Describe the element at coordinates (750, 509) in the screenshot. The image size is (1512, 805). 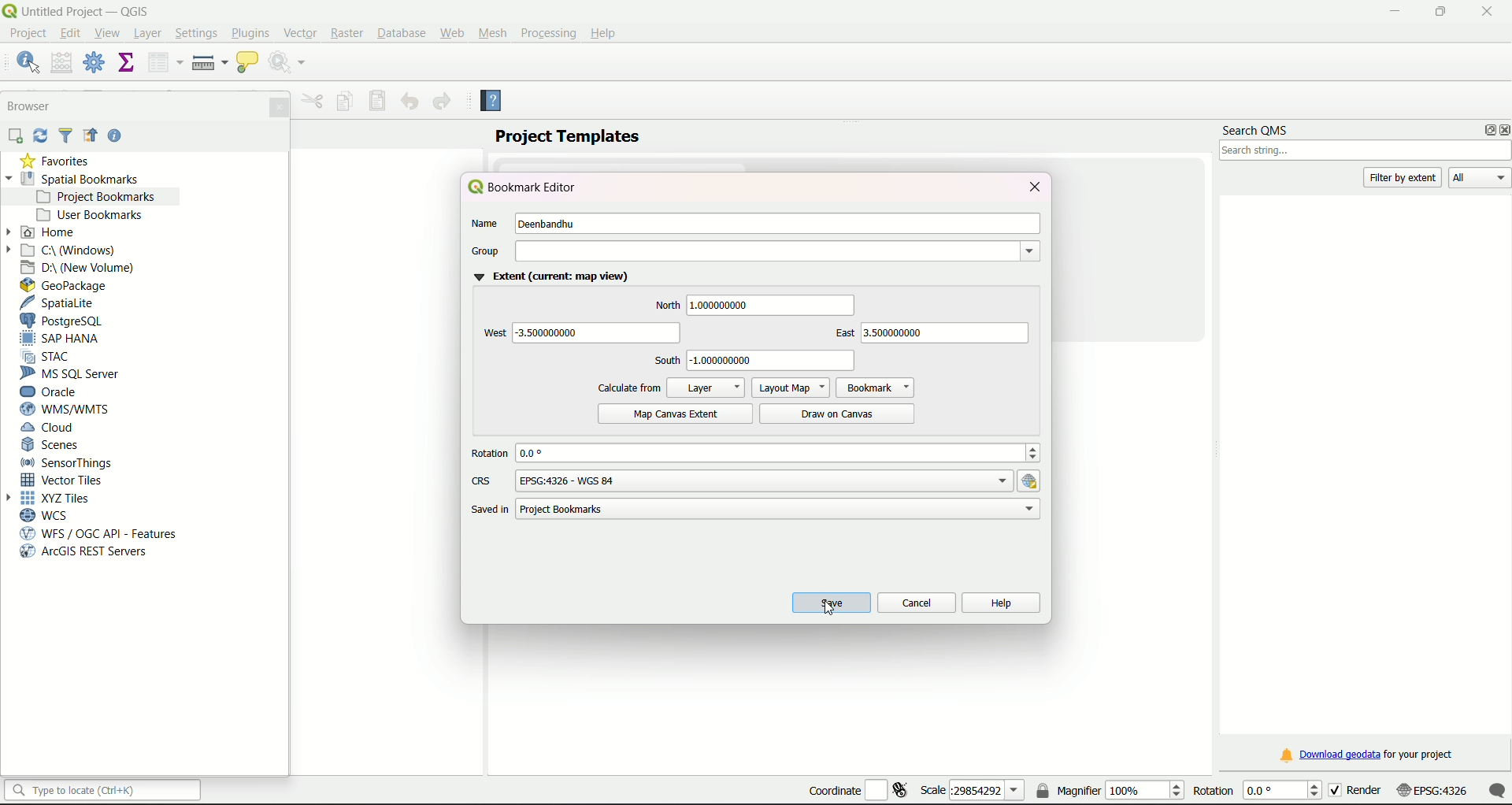
I see `path` at that location.